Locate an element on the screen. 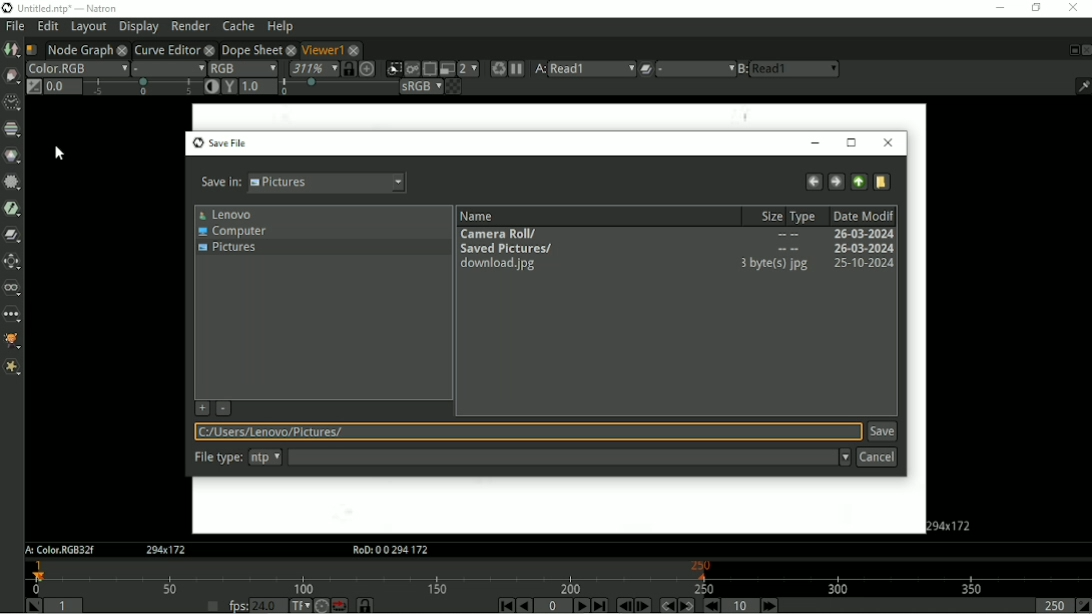 The height and width of the screenshot is (614, 1092). Size is located at coordinates (766, 217).